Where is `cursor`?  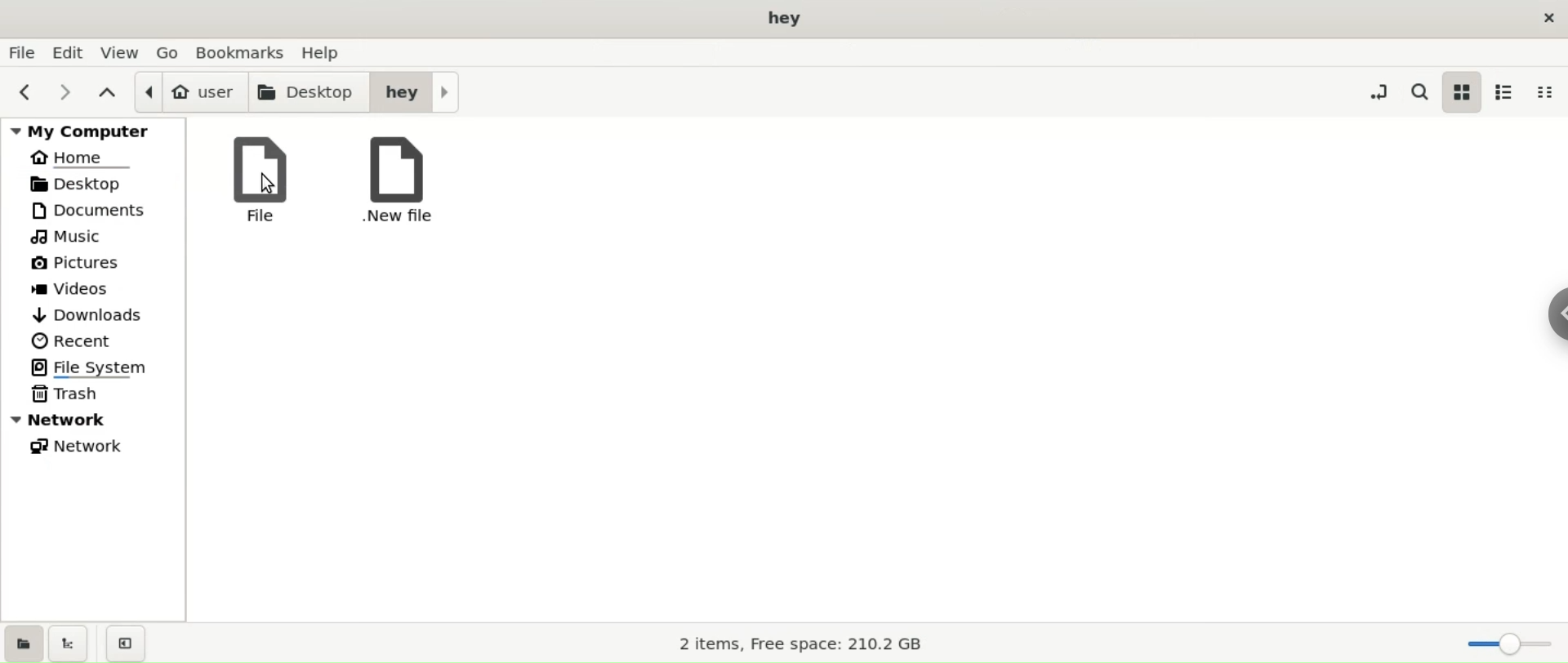
cursor is located at coordinates (268, 181).